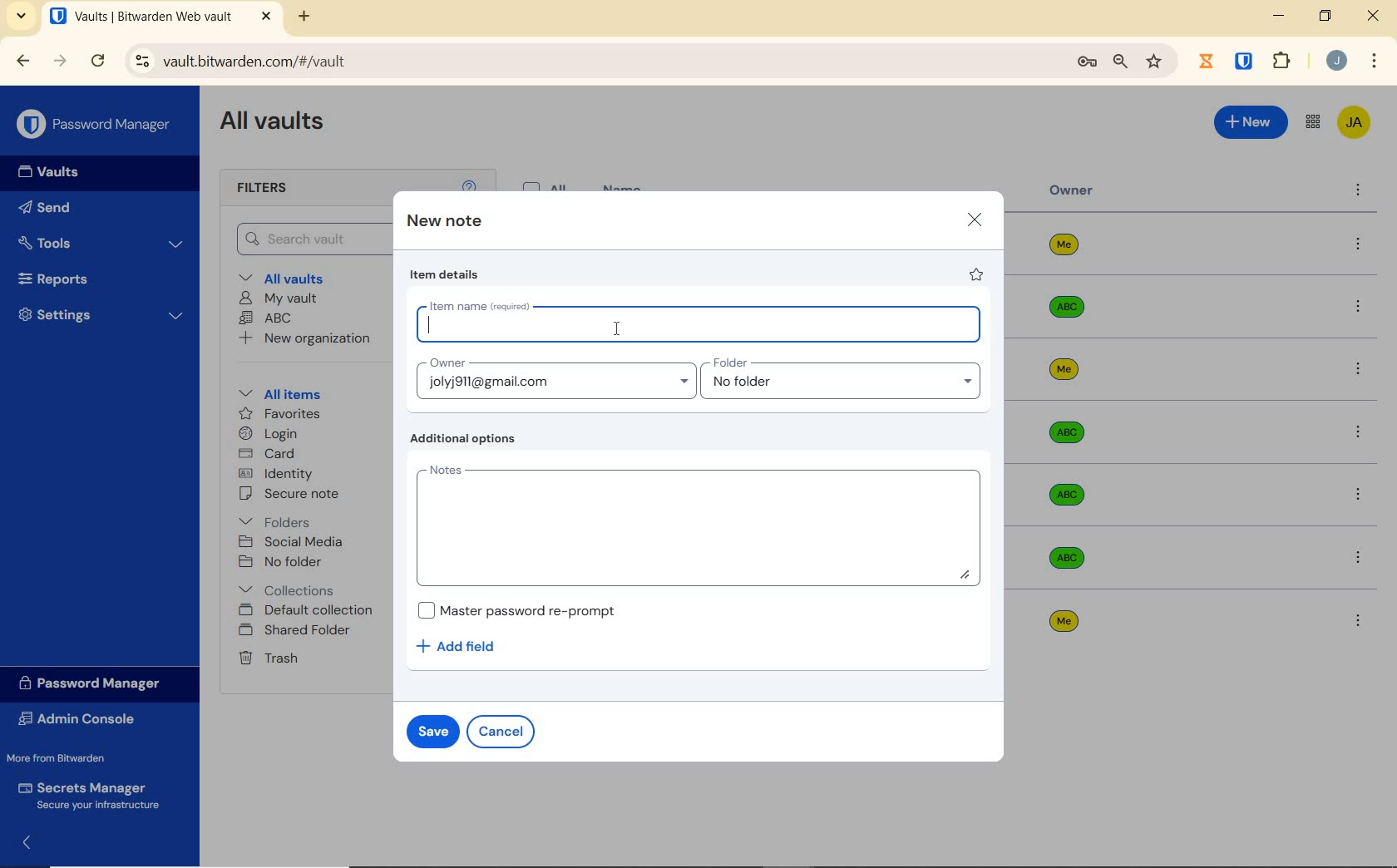  What do you see at coordinates (1353, 121) in the screenshot?
I see `Bitwarden Account` at bounding box center [1353, 121].